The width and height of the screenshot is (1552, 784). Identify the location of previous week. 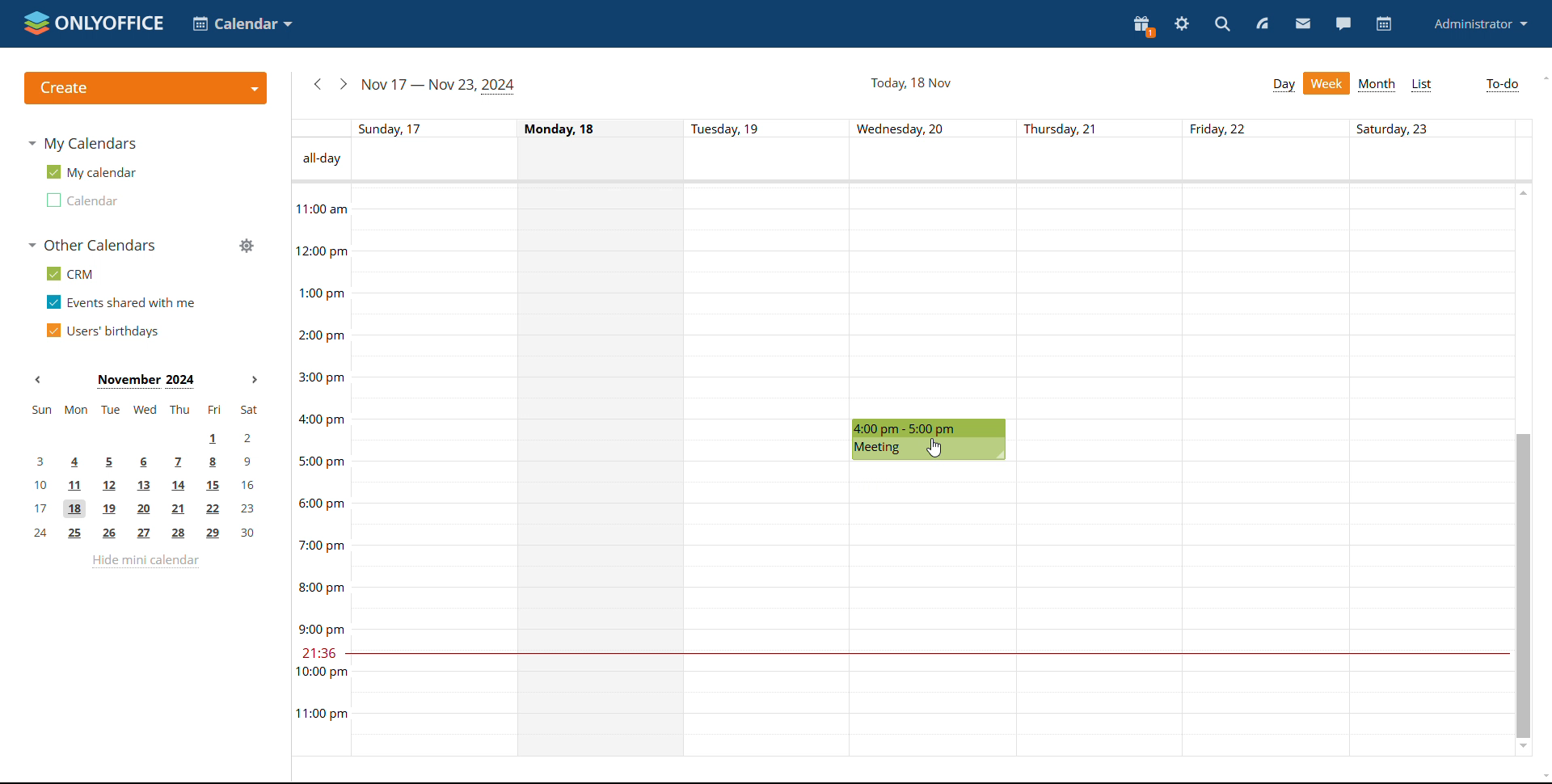
(318, 84).